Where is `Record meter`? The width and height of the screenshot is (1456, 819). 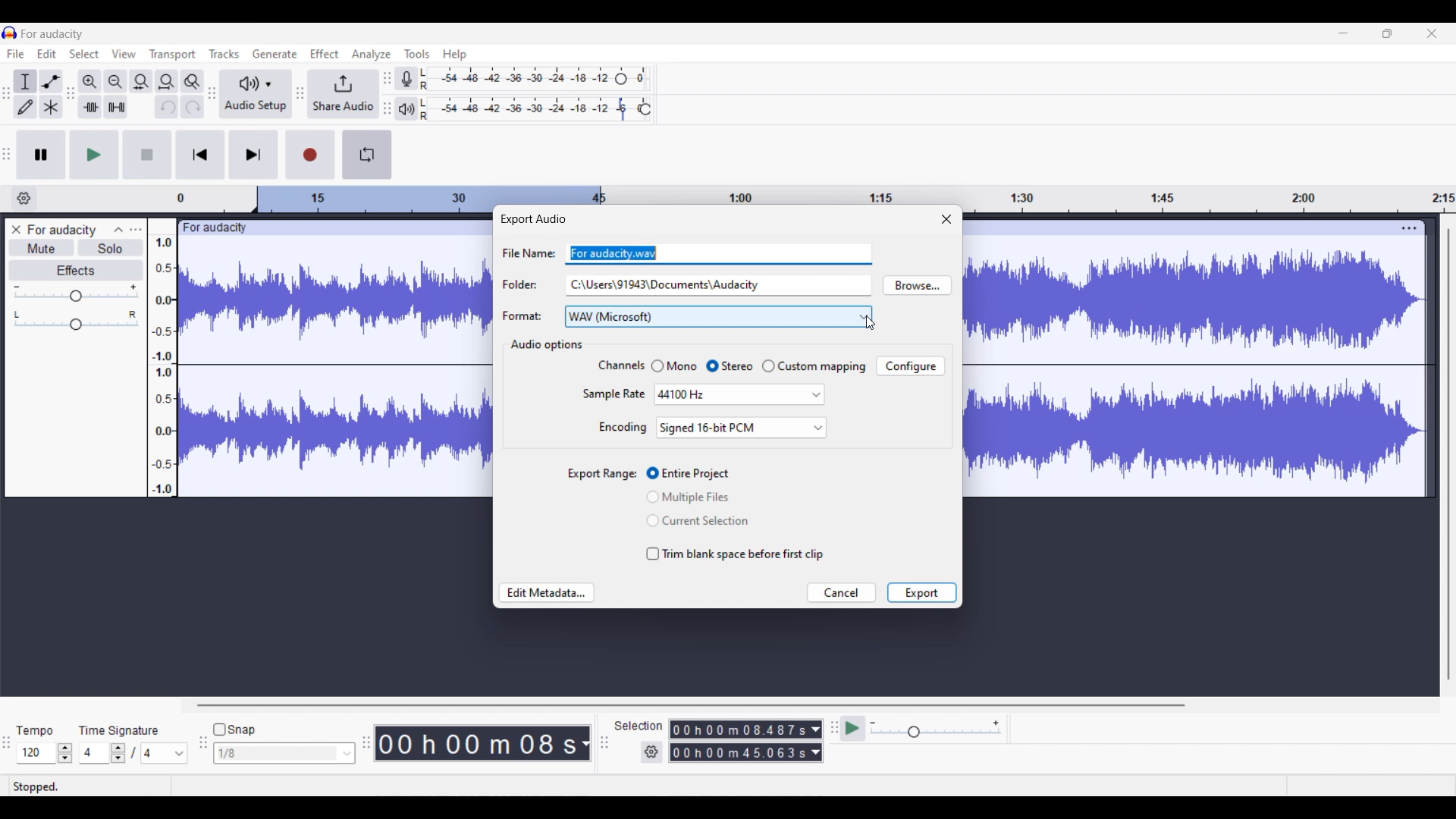
Record meter is located at coordinates (407, 79).